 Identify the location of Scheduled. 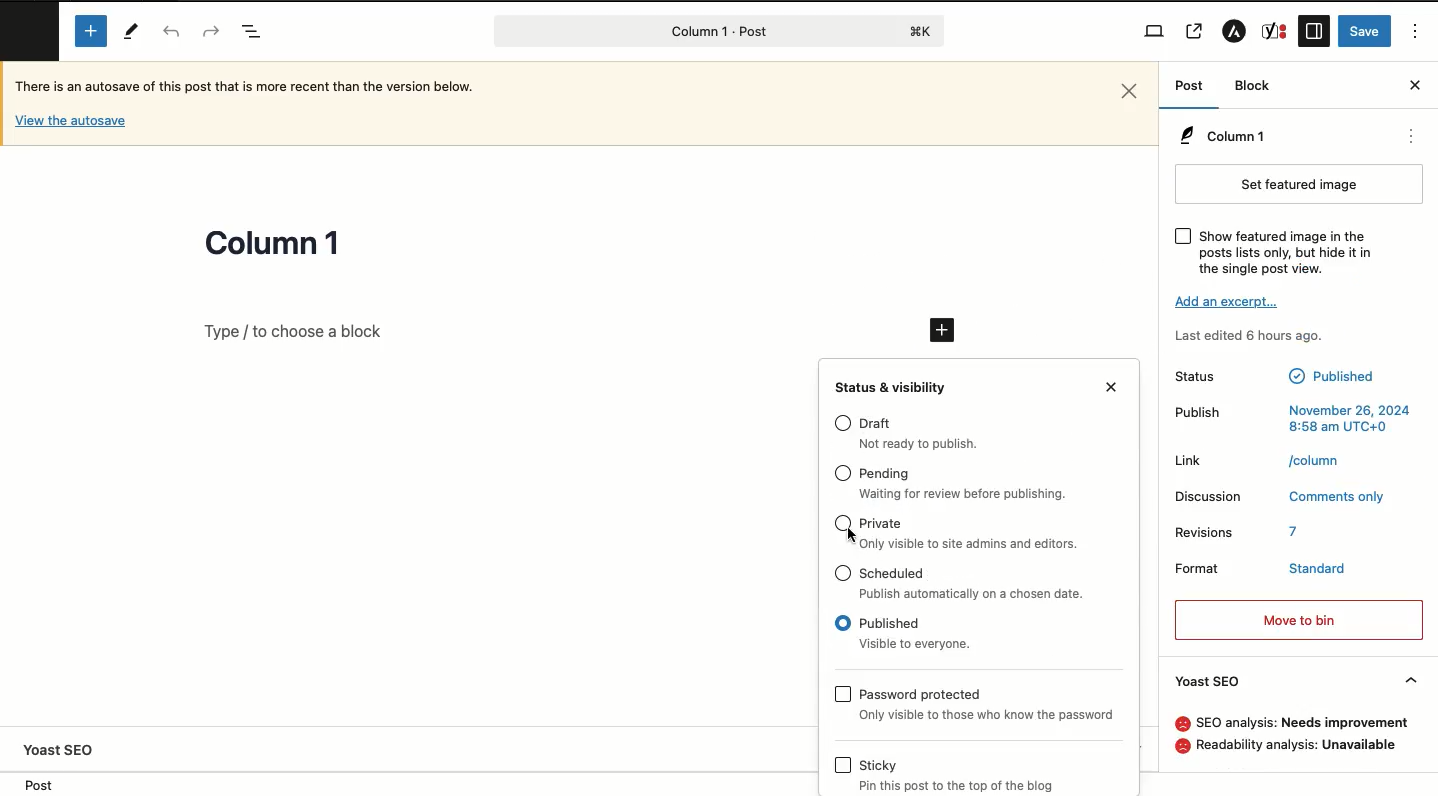
(977, 594).